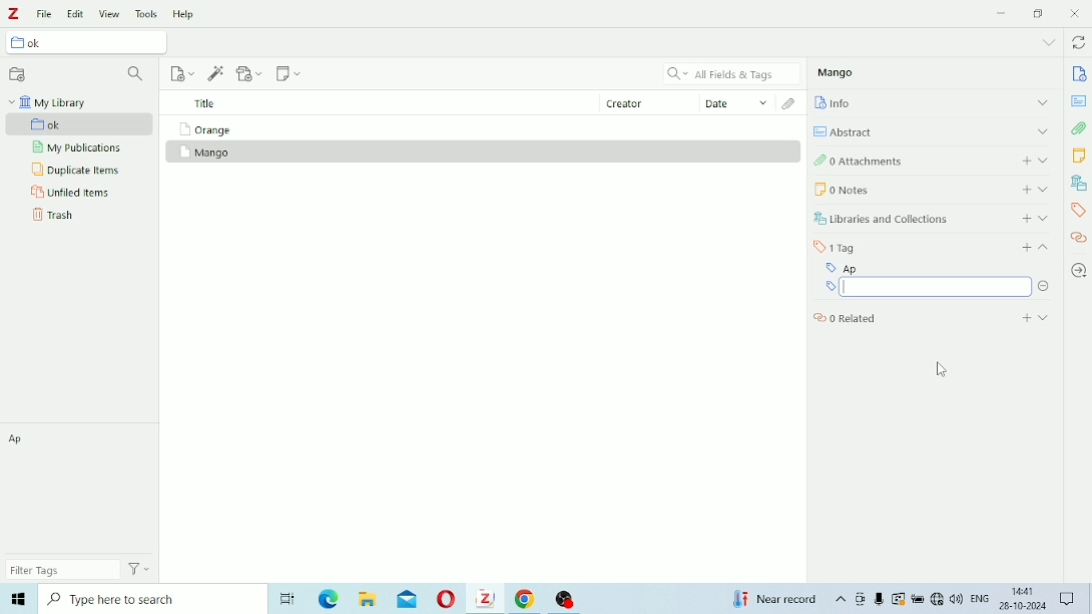 This screenshot has width=1092, height=614. What do you see at coordinates (572, 600) in the screenshot?
I see `OBS Studio` at bounding box center [572, 600].